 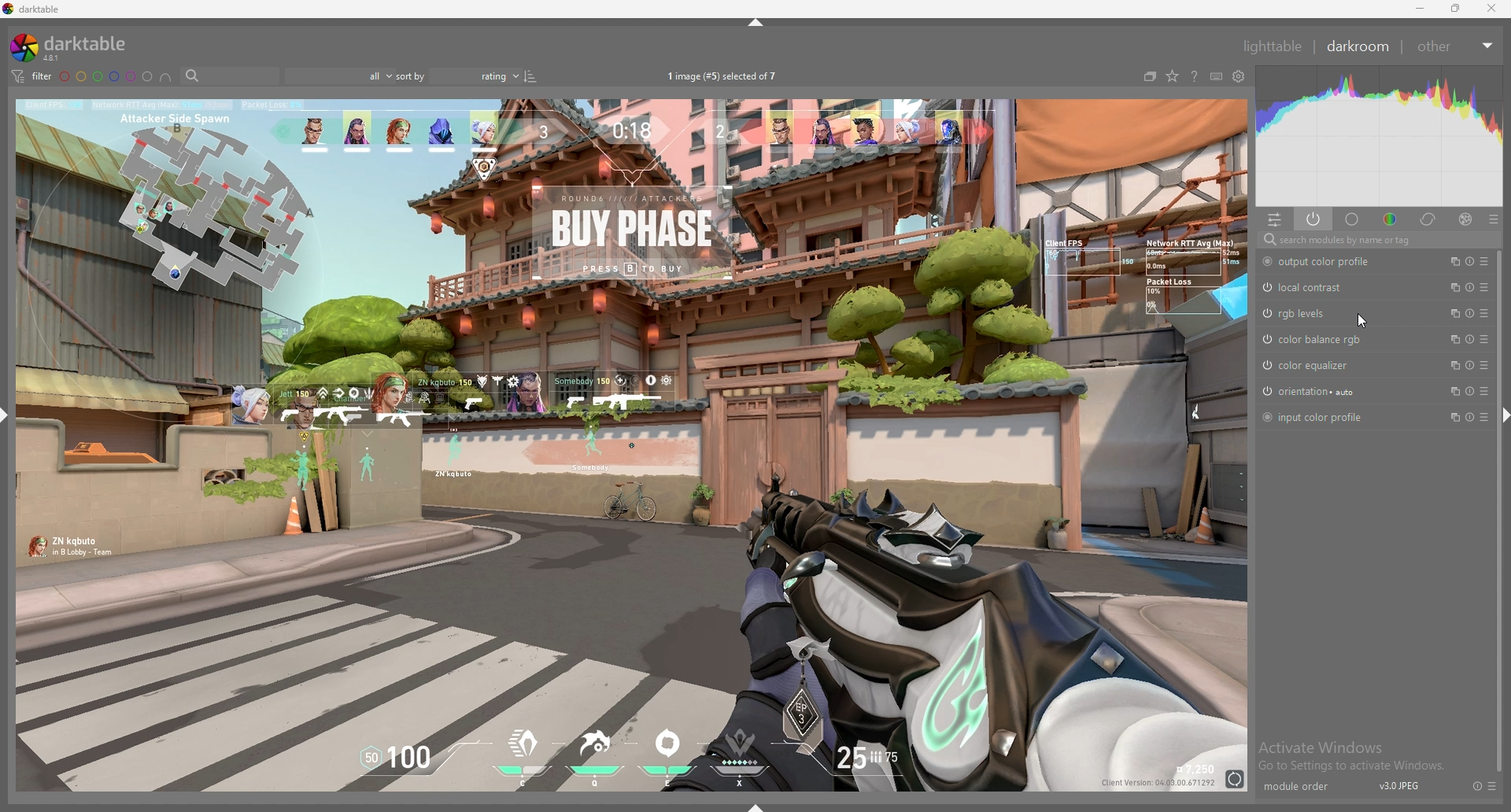 I want to click on reset, so click(x=1470, y=417).